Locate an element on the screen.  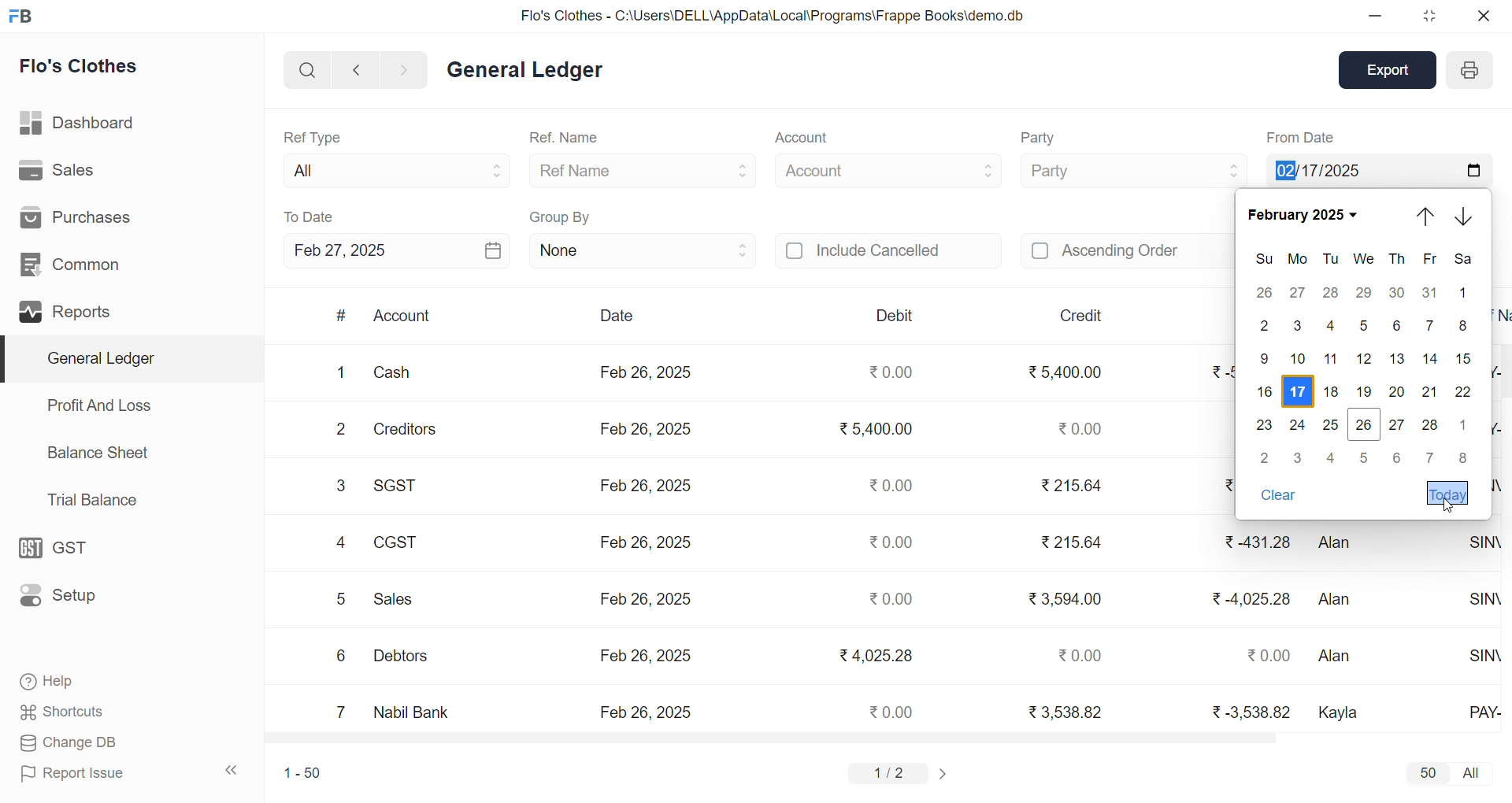
RESIZE is located at coordinates (1426, 16).